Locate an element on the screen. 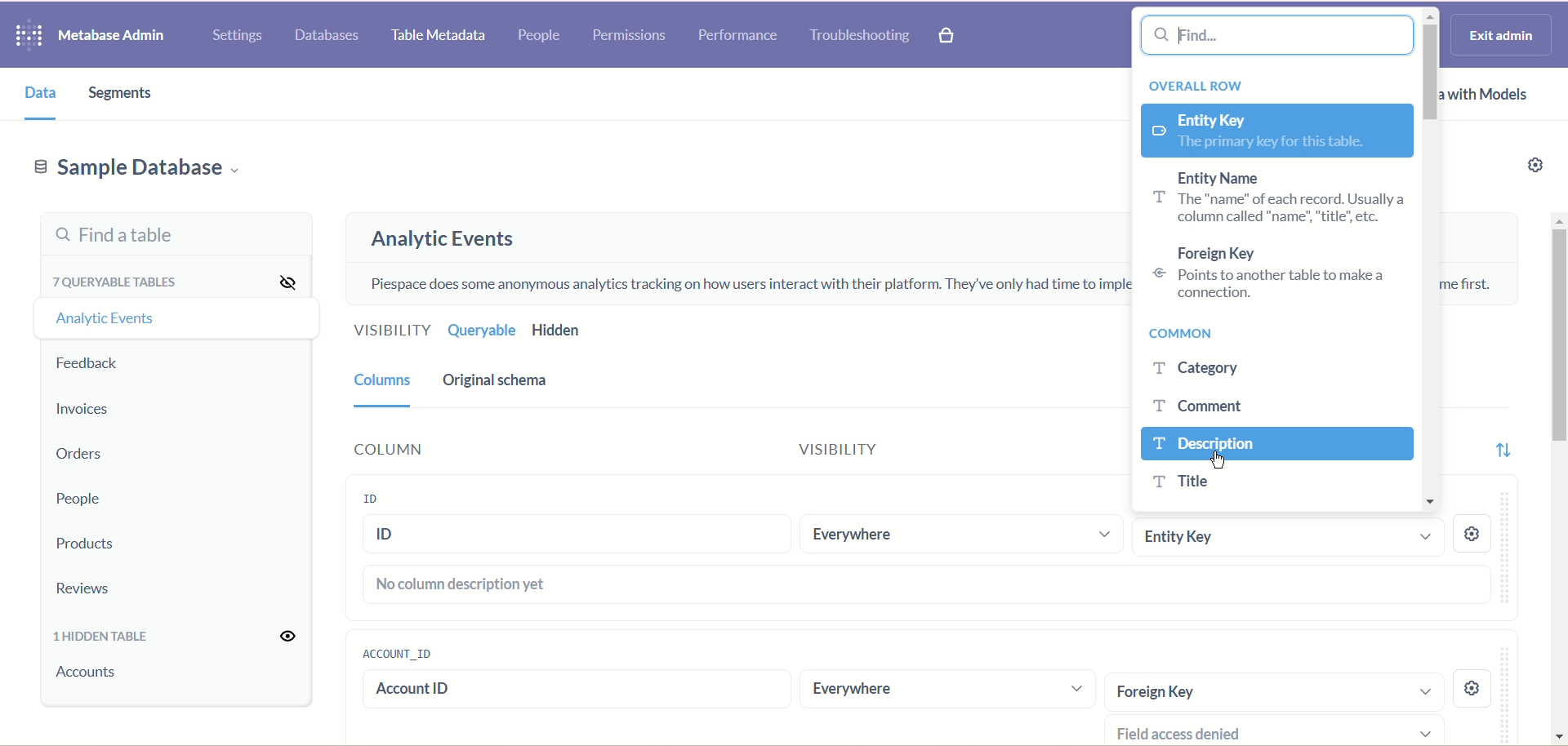 The height and width of the screenshot is (746, 1568). visibility is located at coordinates (820, 450).